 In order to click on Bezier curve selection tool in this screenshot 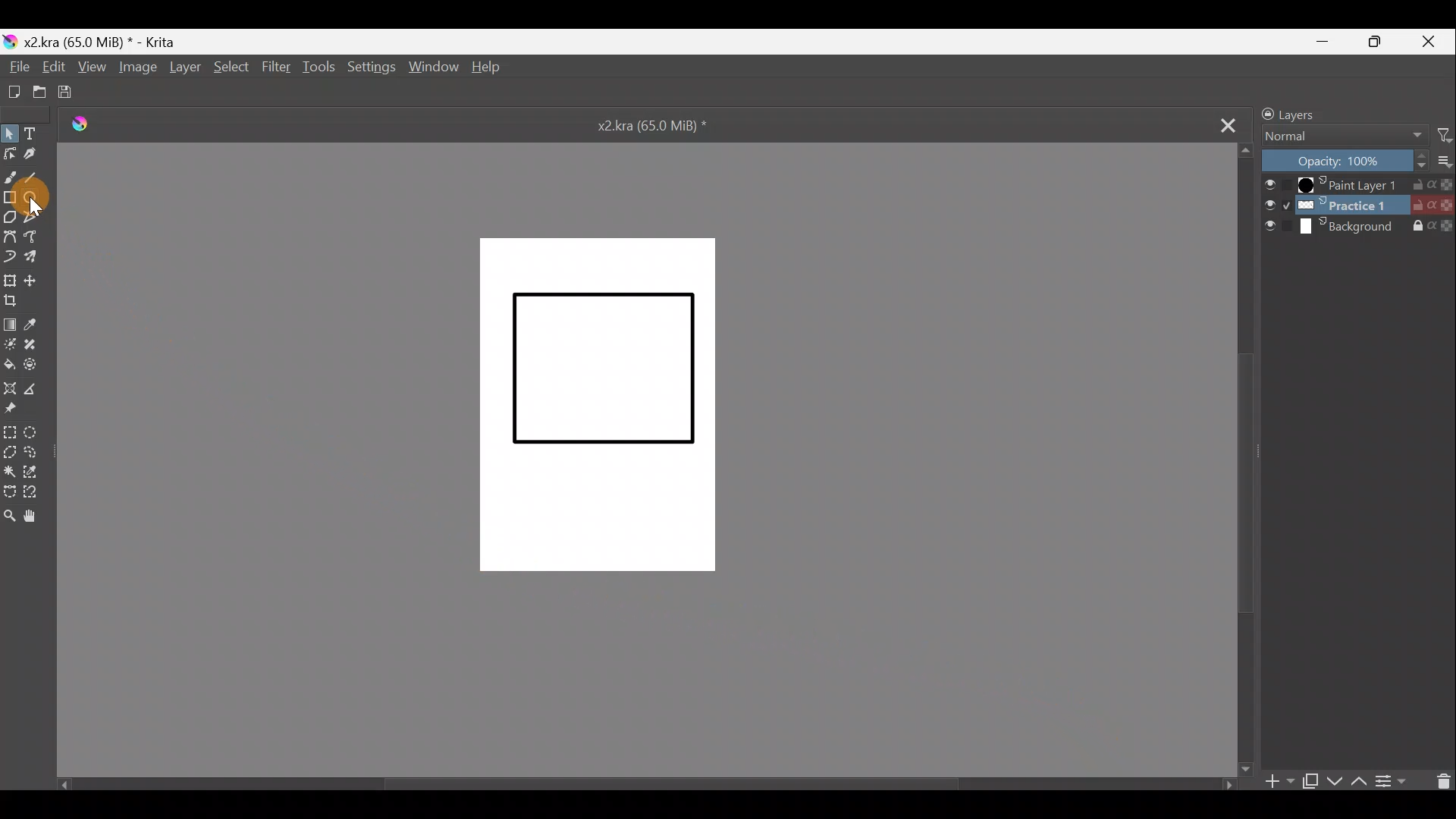, I will do `click(9, 491)`.